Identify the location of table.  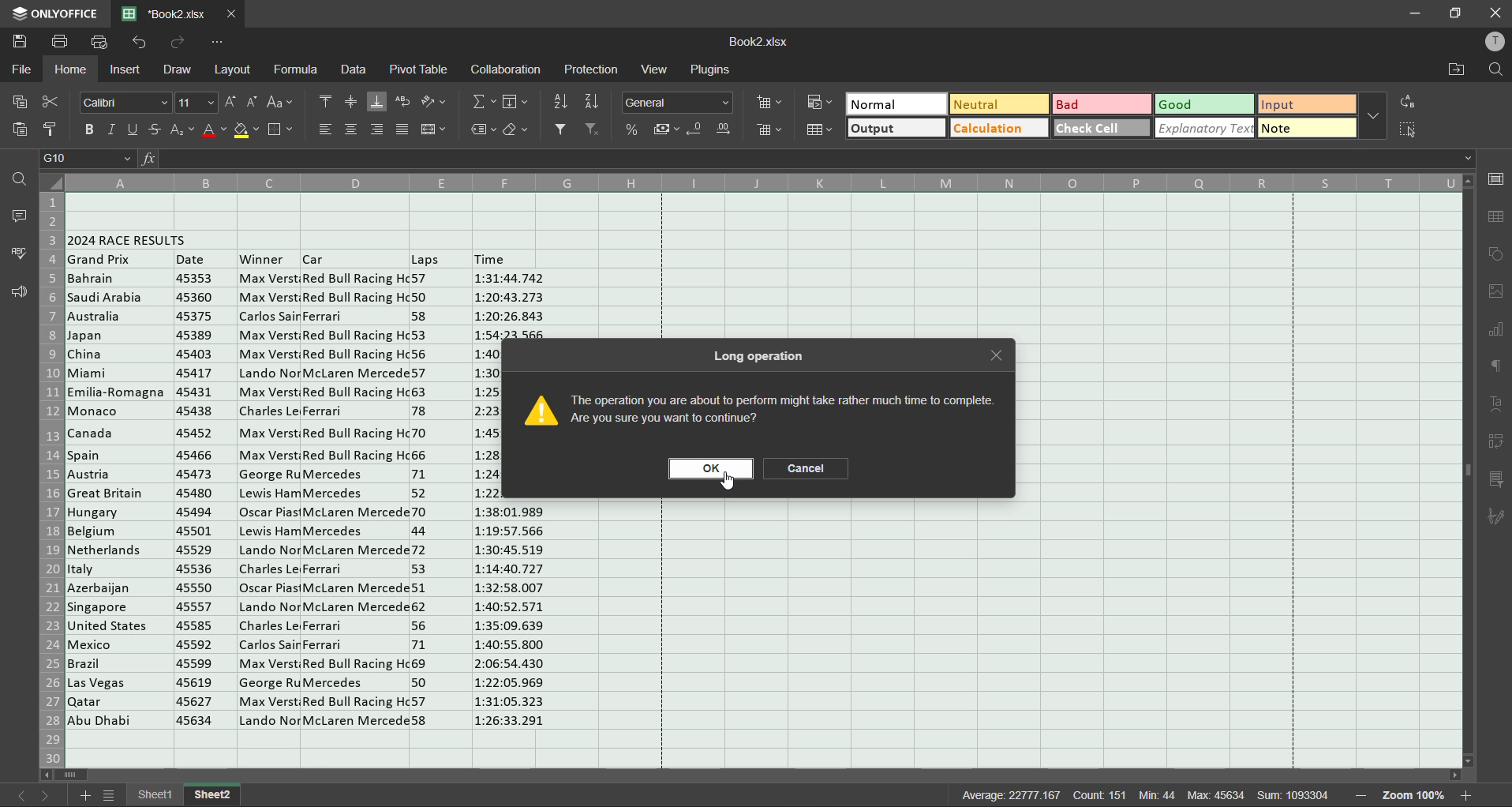
(1493, 220).